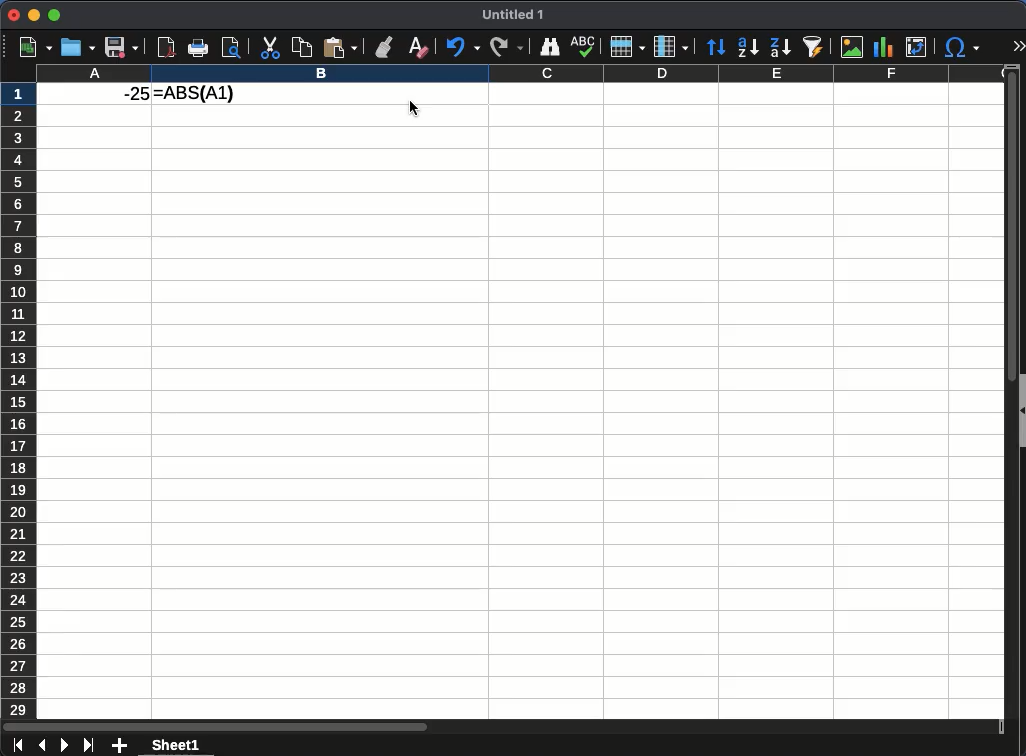 Image resolution: width=1026 pixels, height=756 pixels. I want to click on chart, so click(882, 45).